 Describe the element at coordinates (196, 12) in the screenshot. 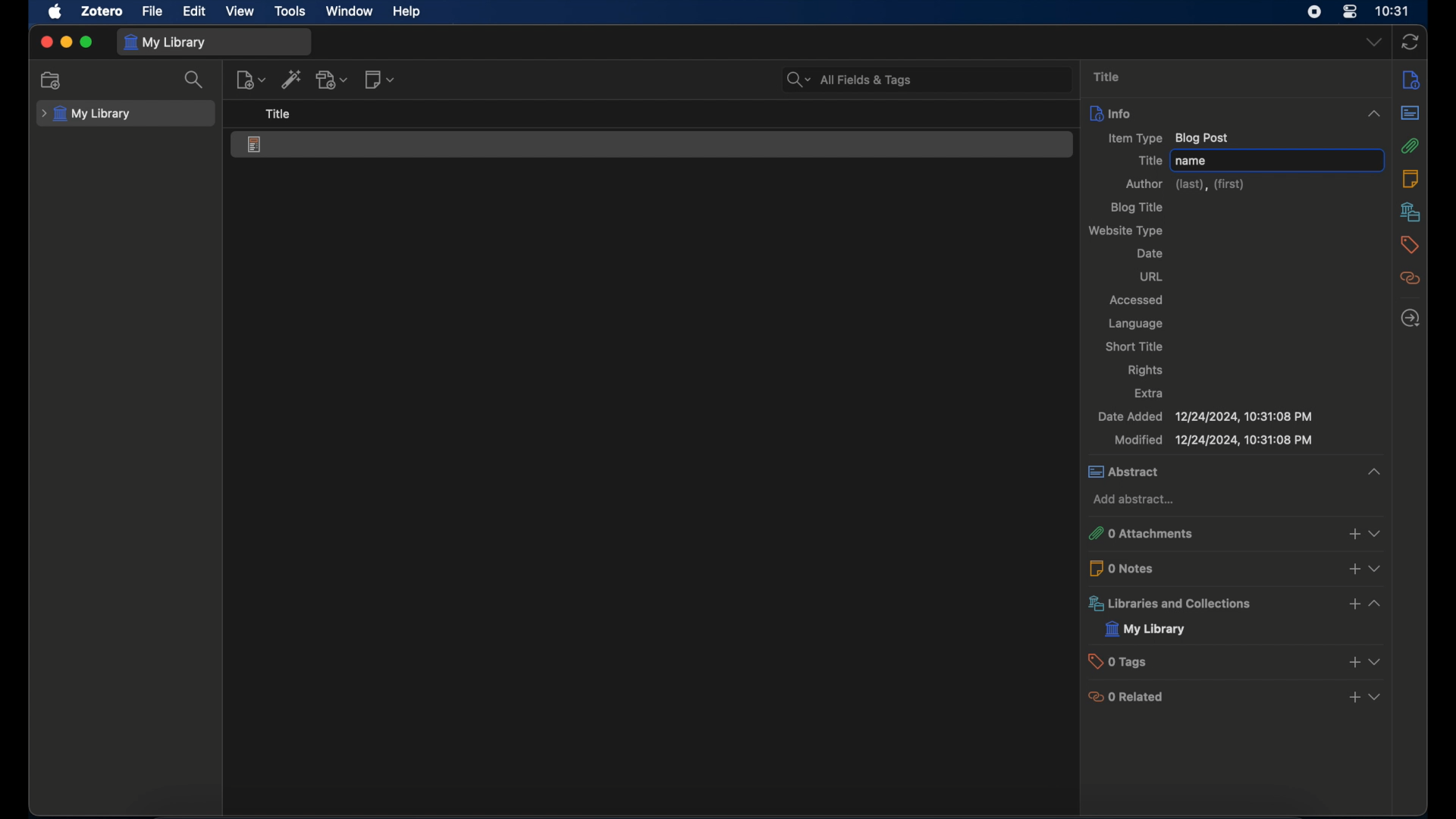

I see `edit` at that location.